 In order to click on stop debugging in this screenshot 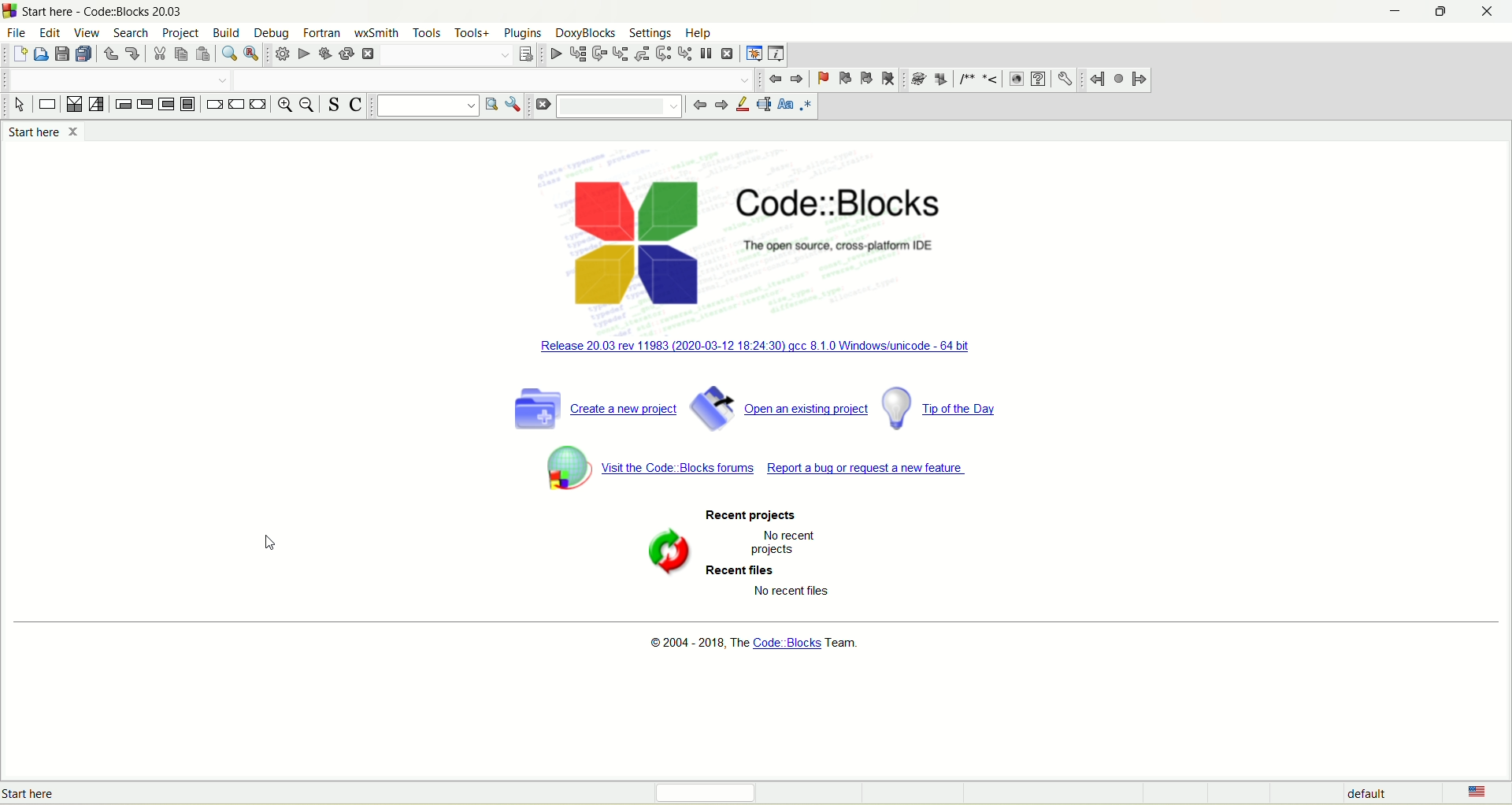, I will do `click(728, 54)`.